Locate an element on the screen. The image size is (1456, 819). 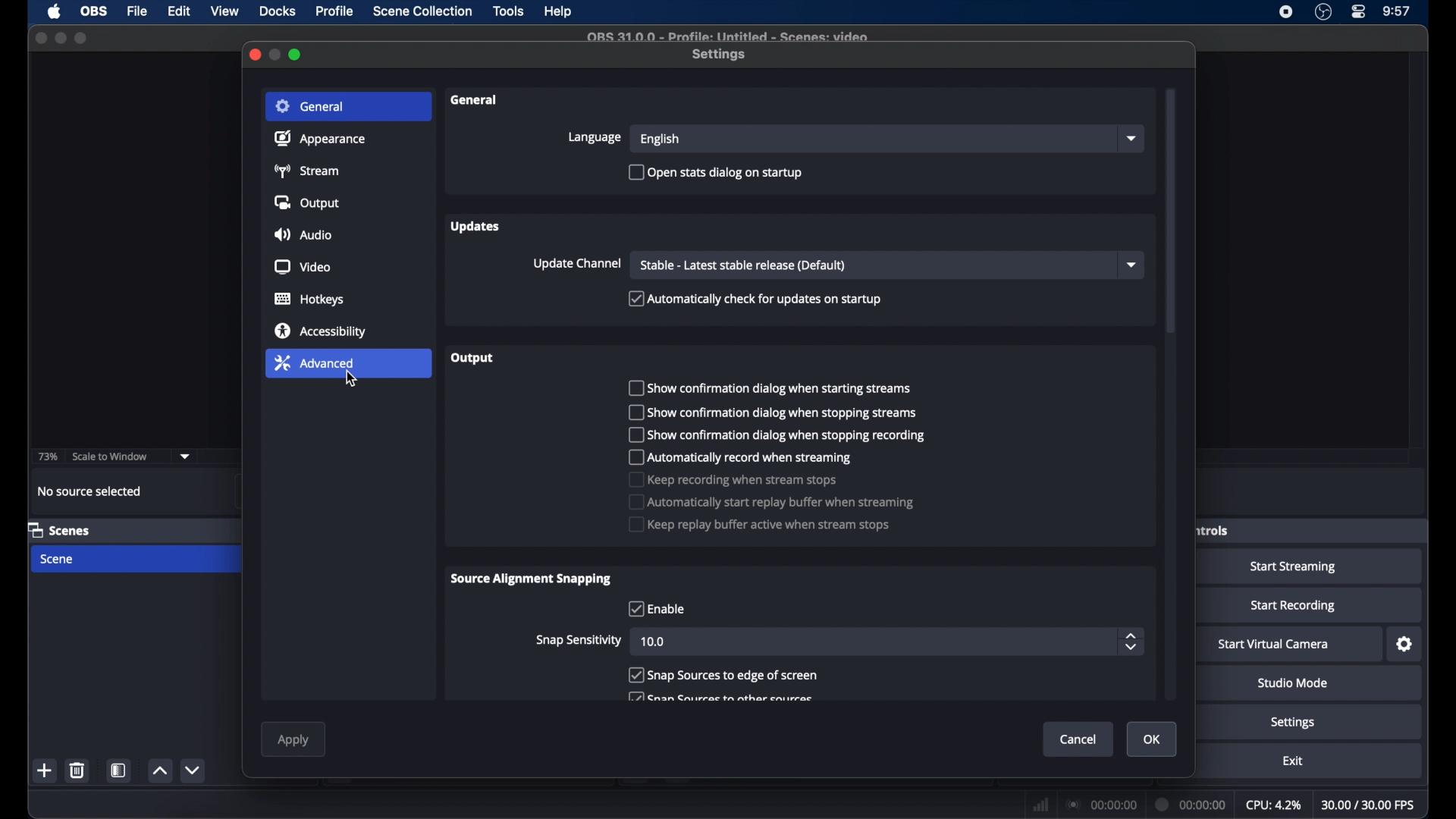
general is located at coordinates (475, 101).